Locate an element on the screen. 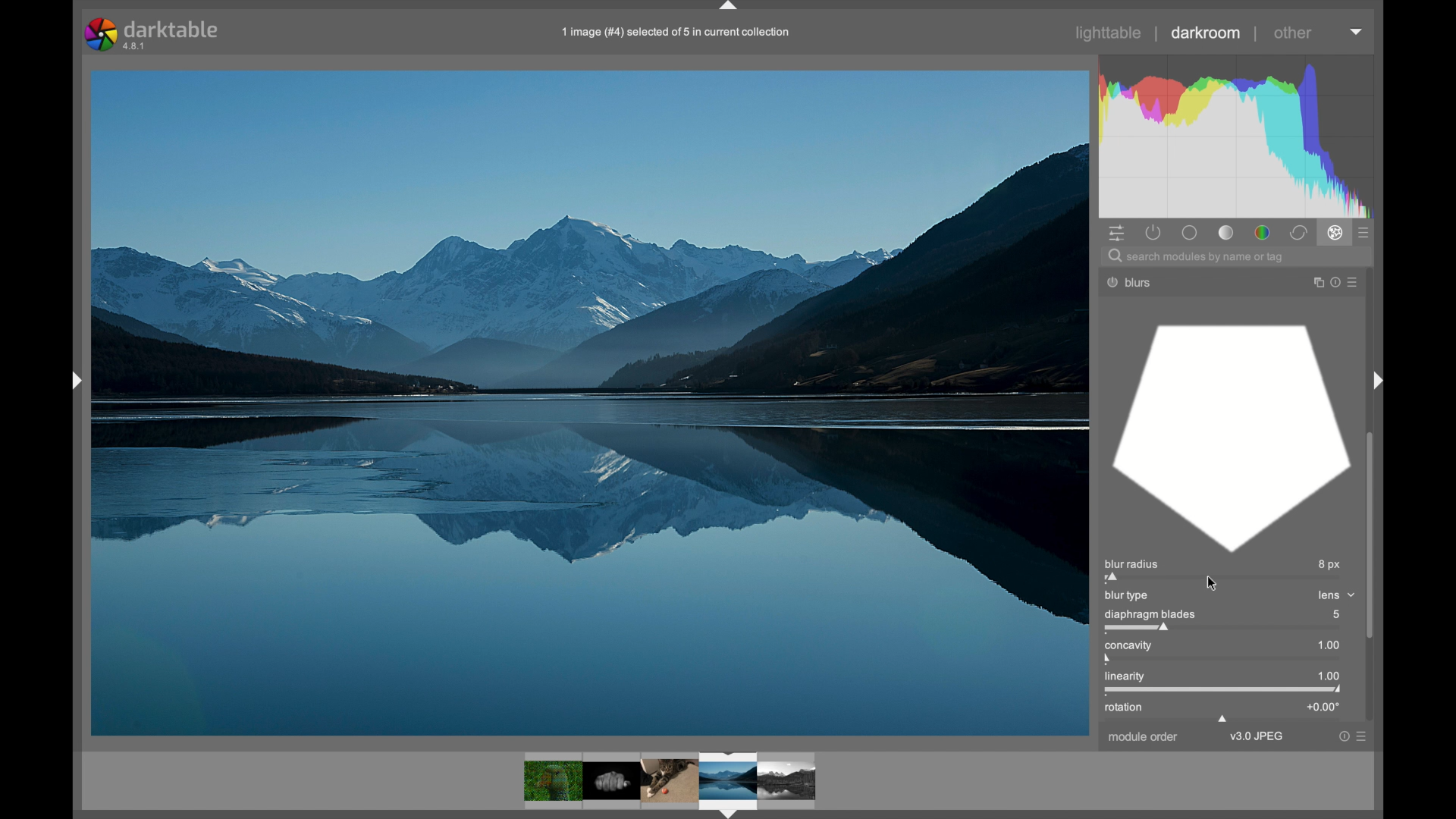 The width and height of the screenshot is (1456, 819). photos is located at coordinates (670, 783).